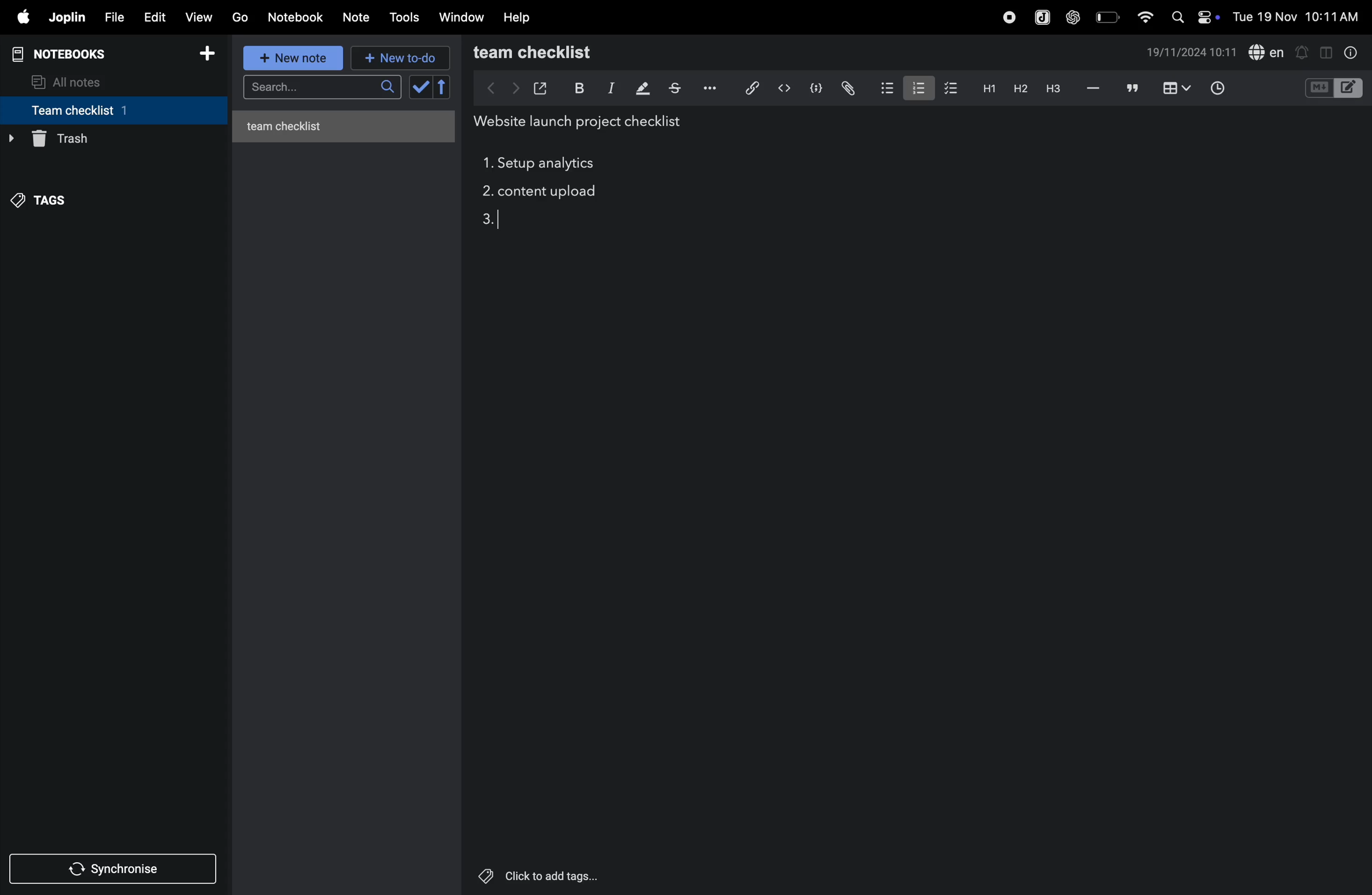 Image resolution: width=1372 pixels, height=895 pixels. I want to click on comments, so click(1130, 89).